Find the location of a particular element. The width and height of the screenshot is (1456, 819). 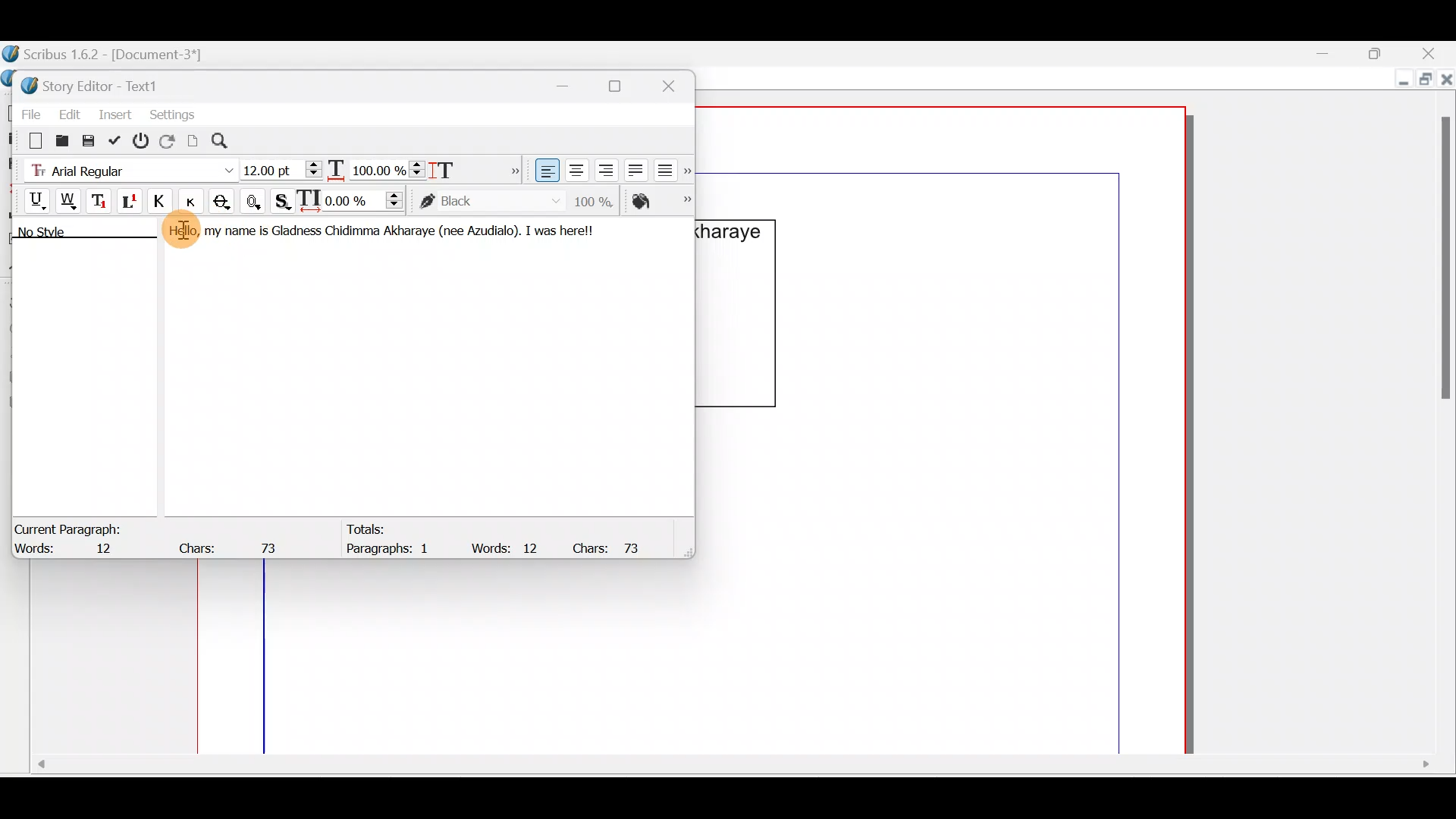

Minimize is located at coordinates (1334, 54).